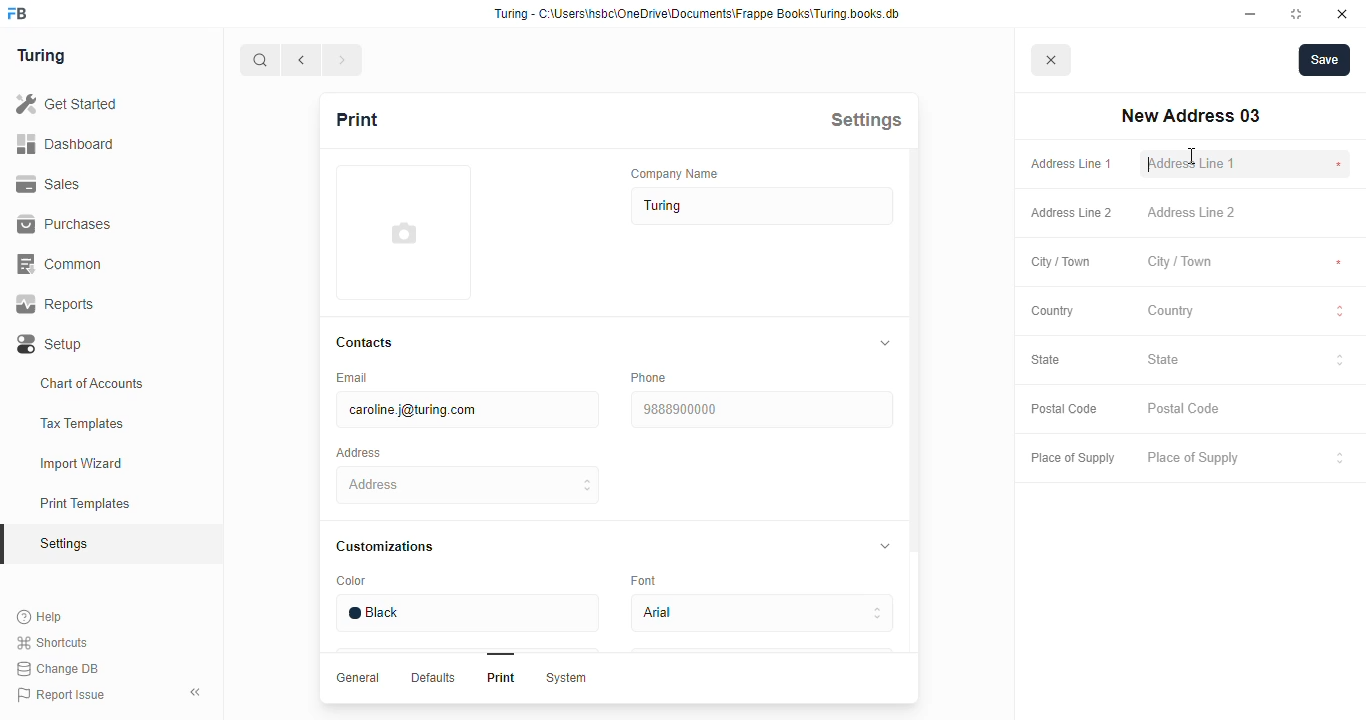  Describe the element at coordinates (66, 104) in the screenshot. I see `get started` at that location.